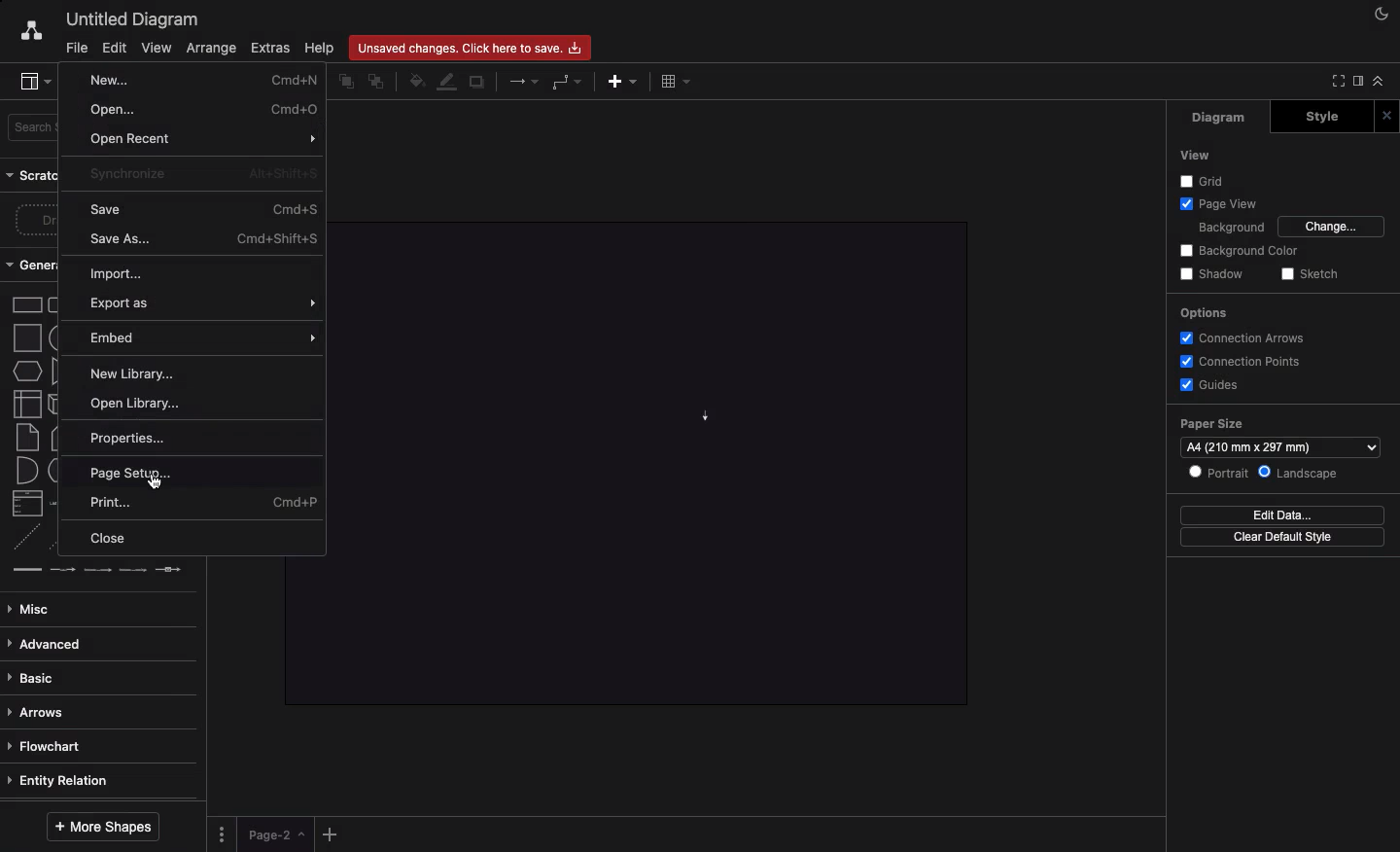  I want to click on Guides, so click(1207, 383).